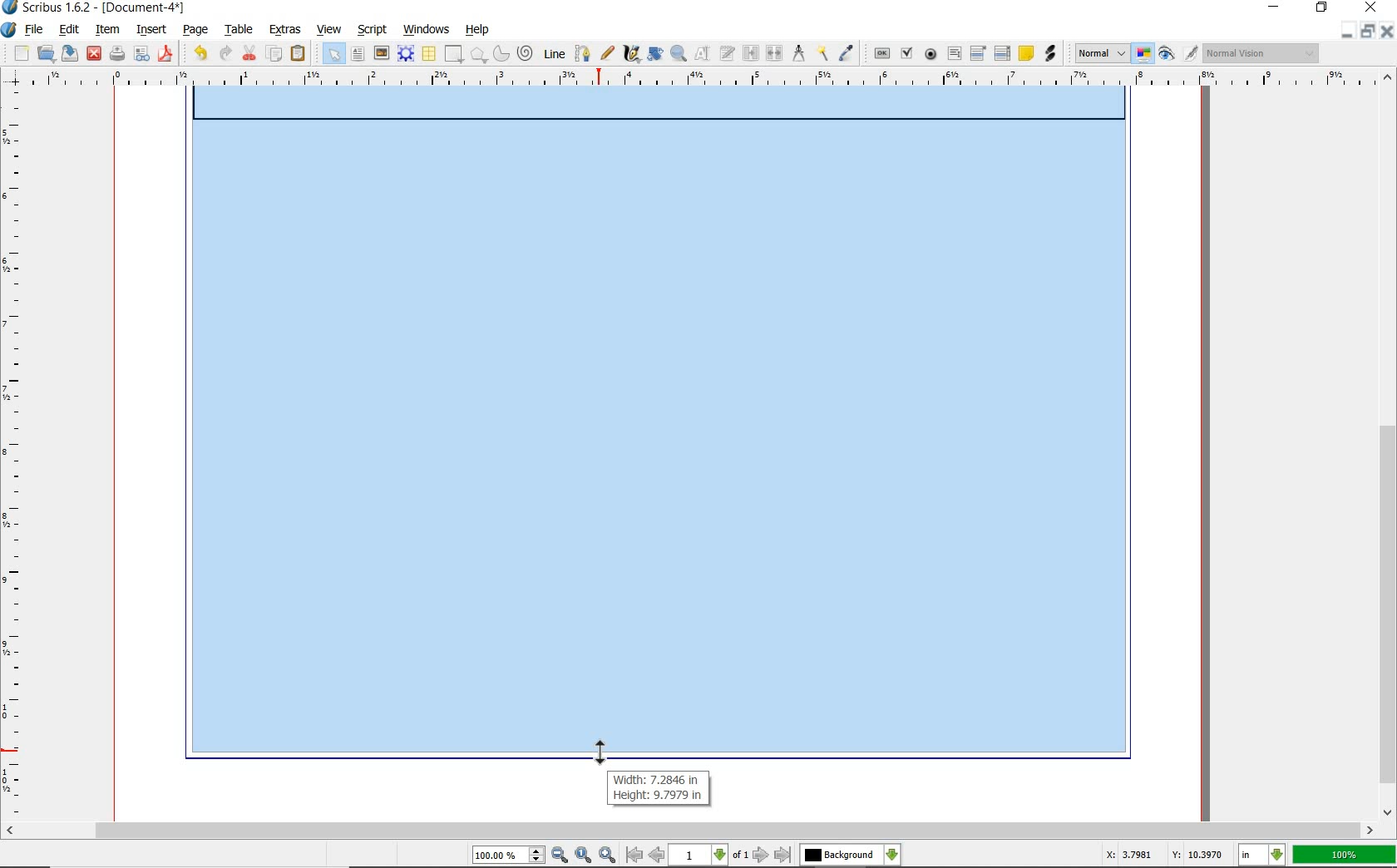 Image resolution: width=1397 pixels, height=868 pixels. Describe the element at coordinates (762, 855) in the screenshot. I see `go to next page` at that location.